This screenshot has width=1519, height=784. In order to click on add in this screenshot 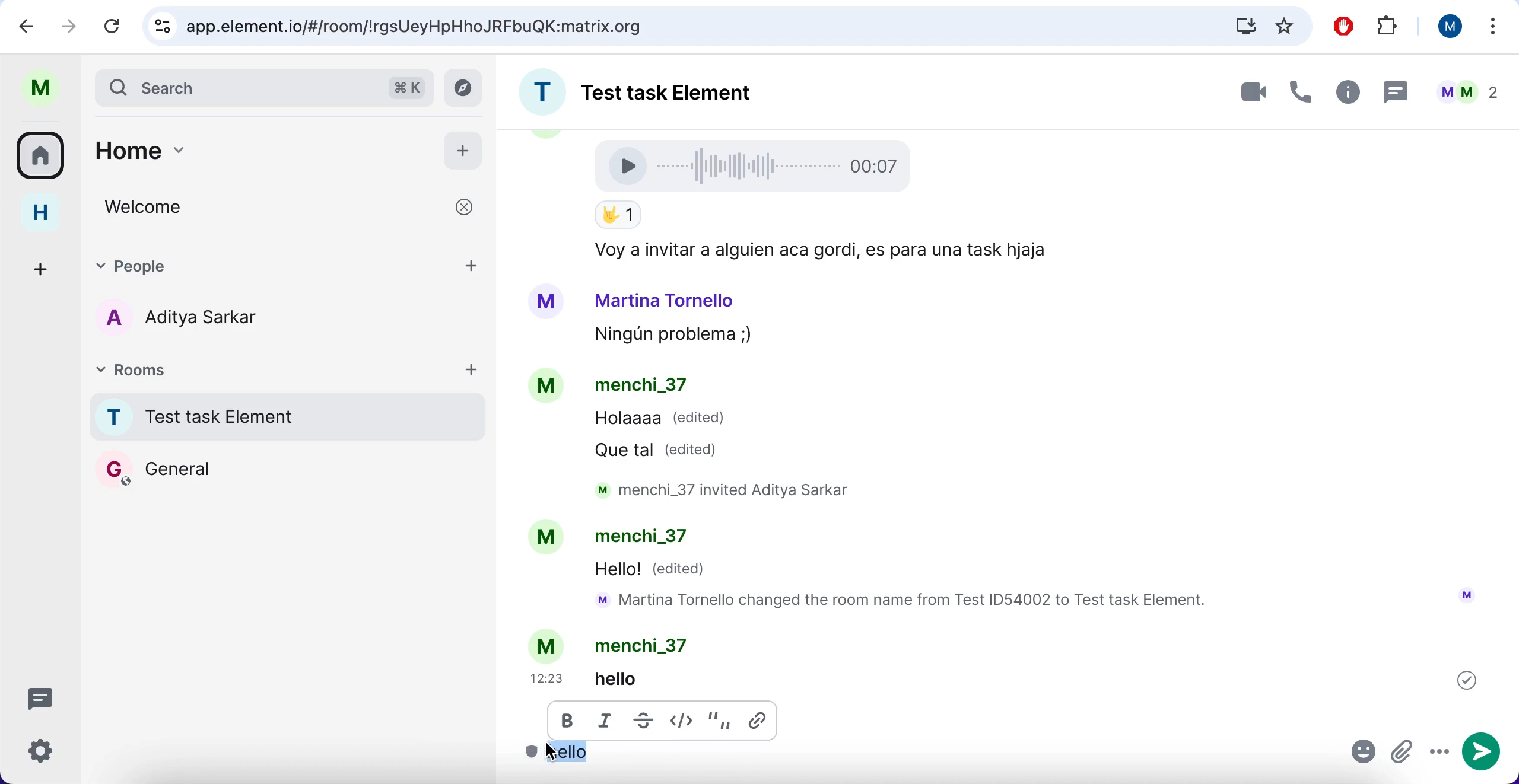, I will do `click(472, 368)`.